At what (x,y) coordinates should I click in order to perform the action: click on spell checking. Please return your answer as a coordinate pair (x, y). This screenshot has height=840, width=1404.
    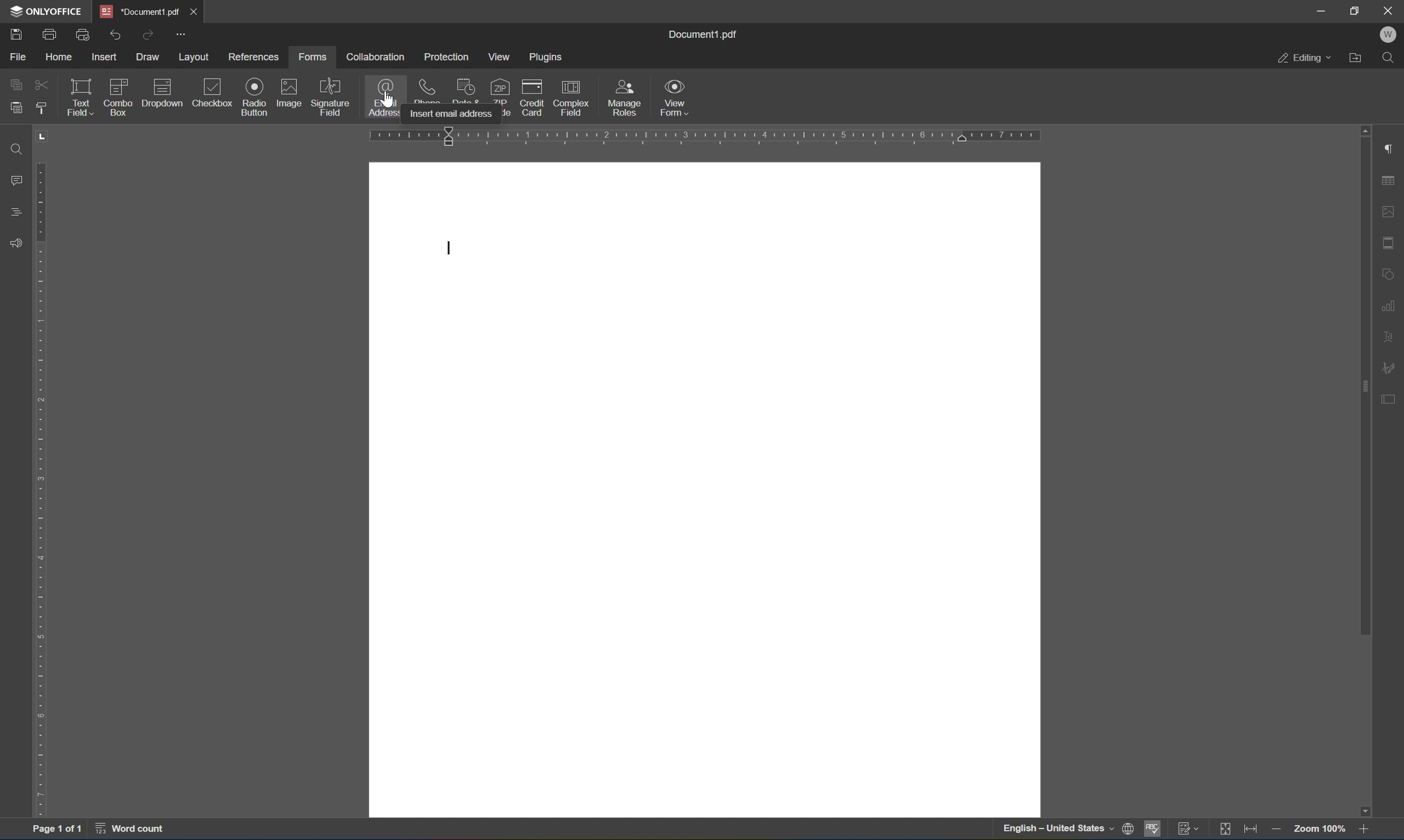
    Looking at the image, I should click on (1153, 830).